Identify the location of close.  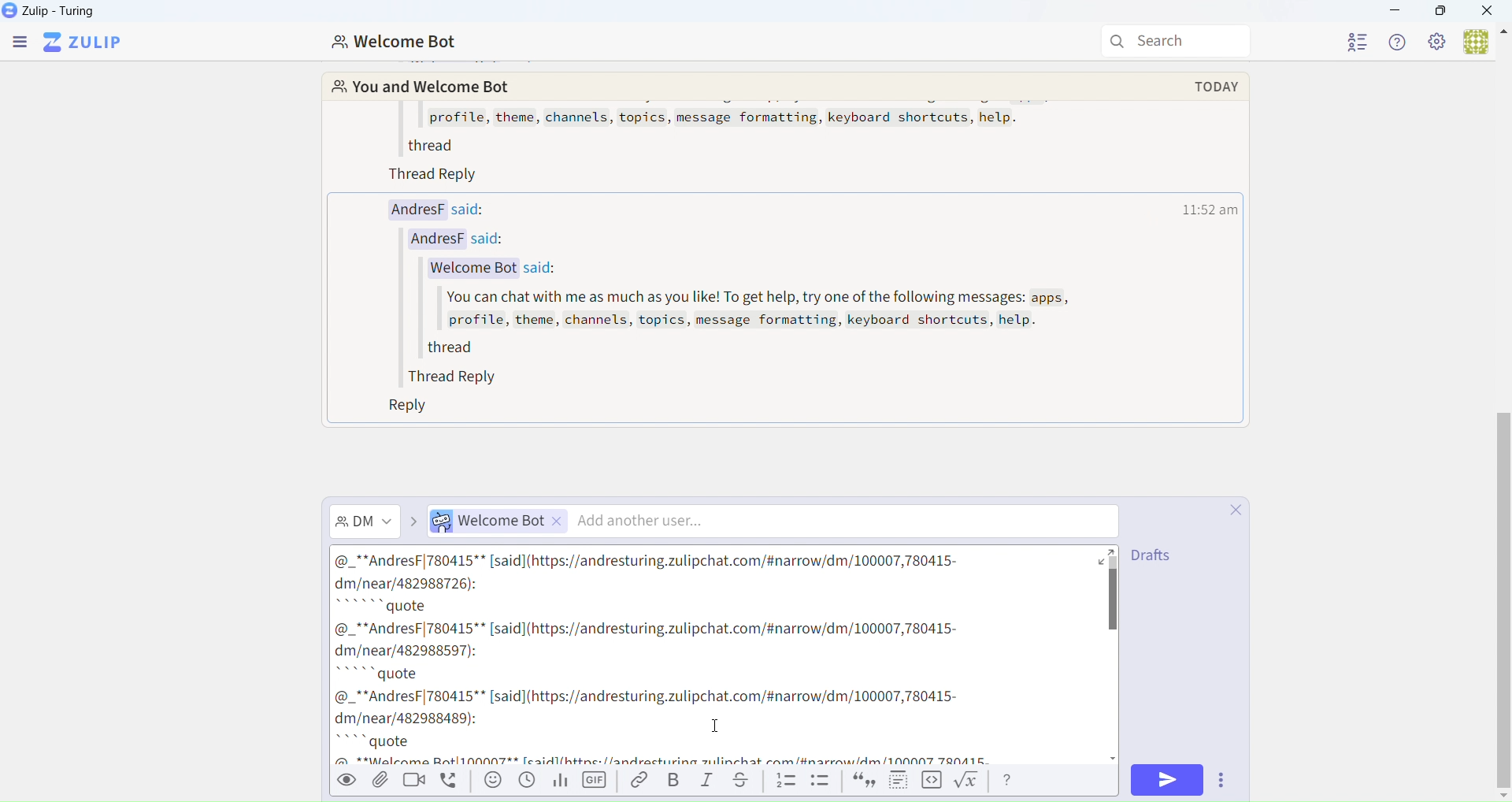
(1232, 509).